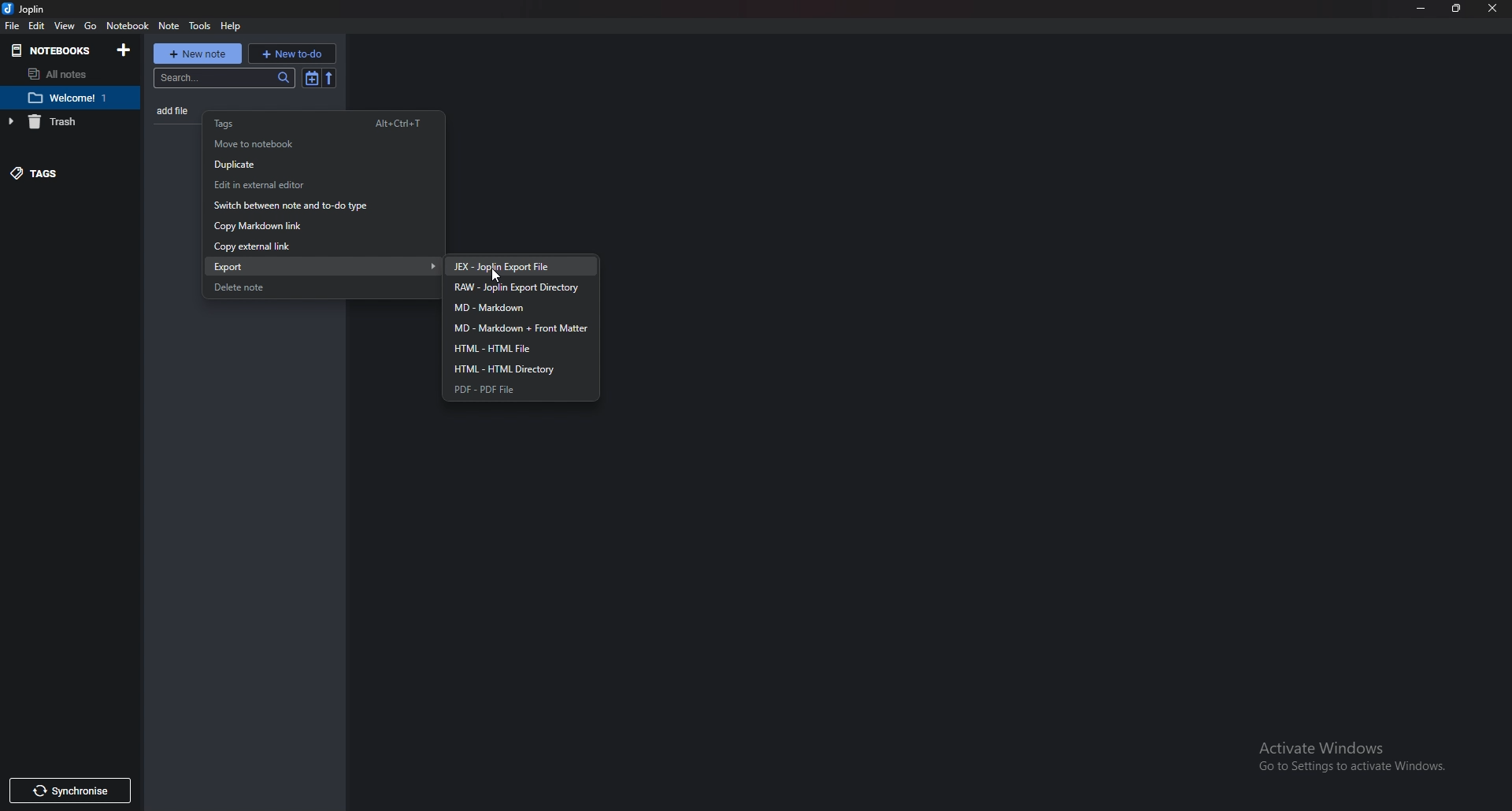 Image resolution: width=1512 pixels, height=811 pixels. What do you see at coordinates (58, 172) in the screenshot?
I see `Tags` at bounding box center [58, 172].